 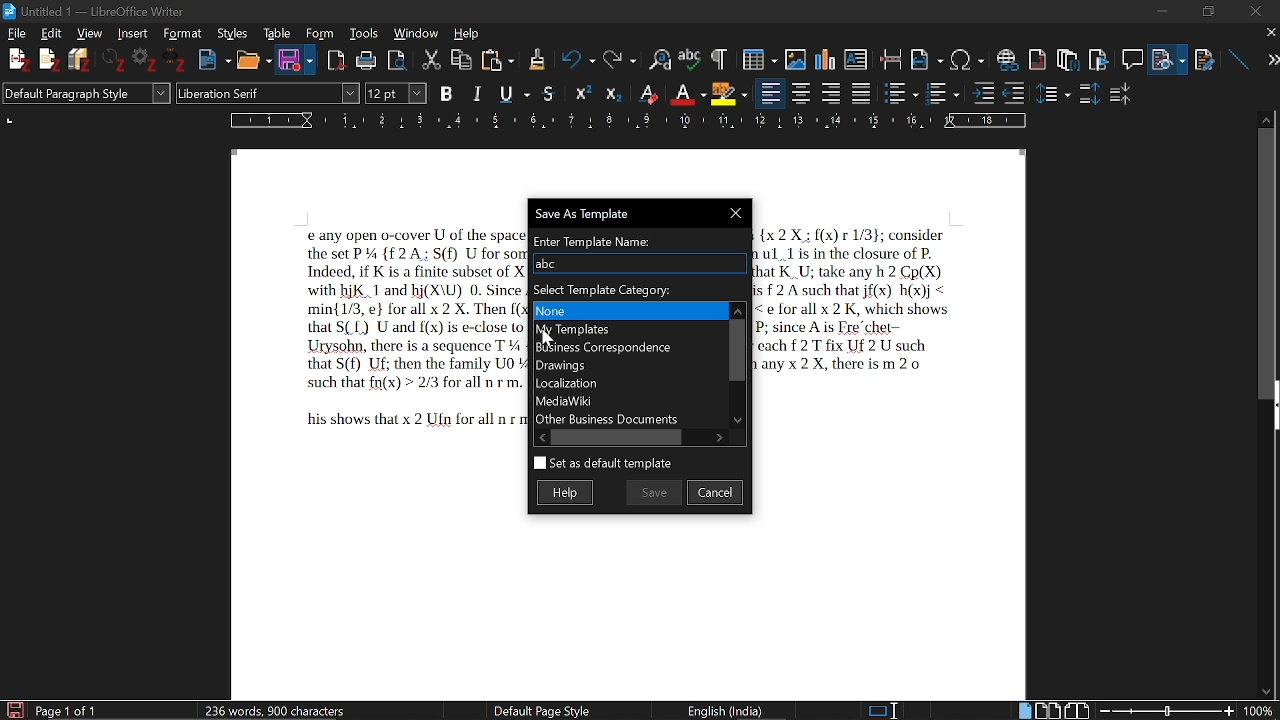 I want to click on , so click(x=983, y=92).